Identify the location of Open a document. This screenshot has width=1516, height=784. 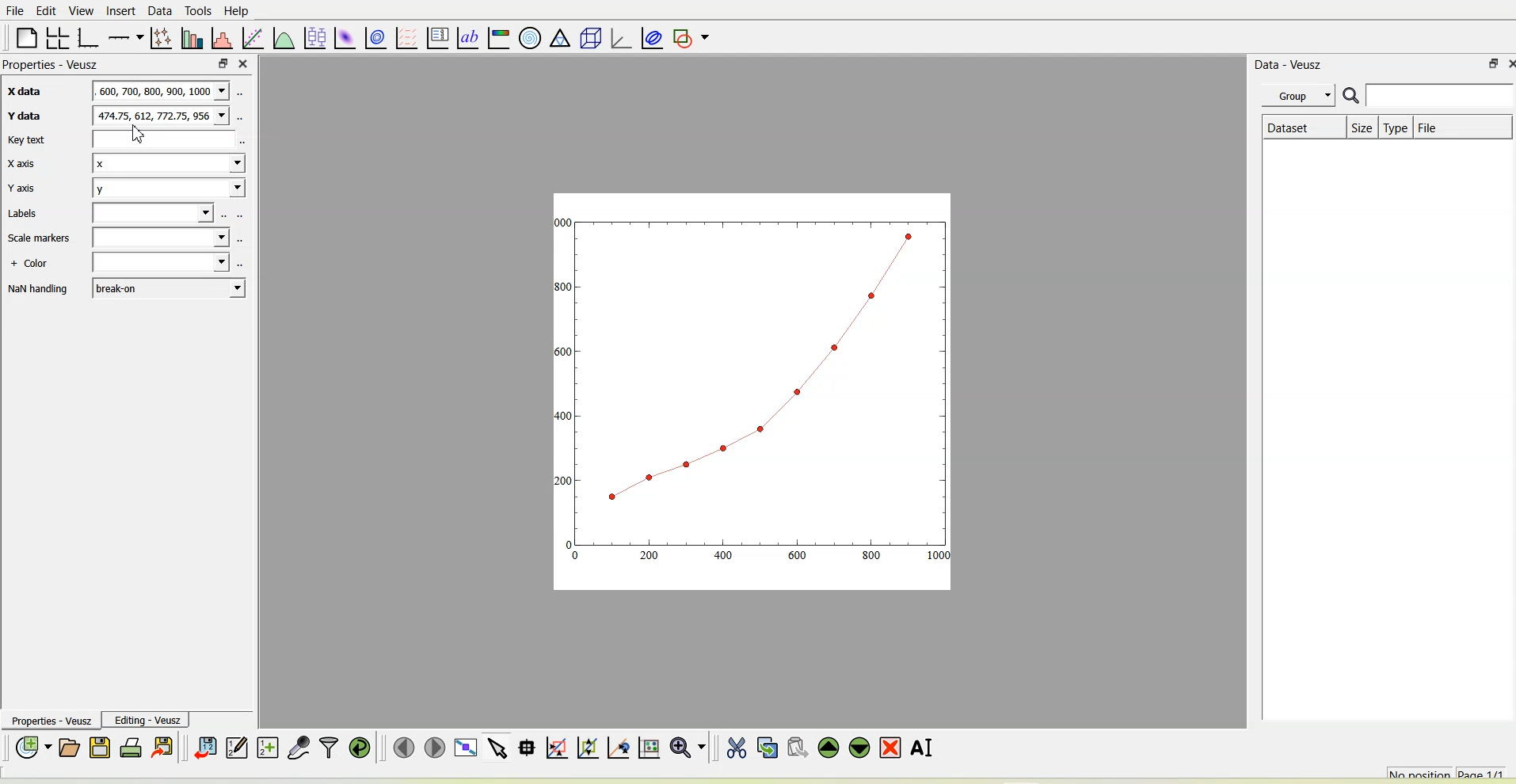
(70, 748).